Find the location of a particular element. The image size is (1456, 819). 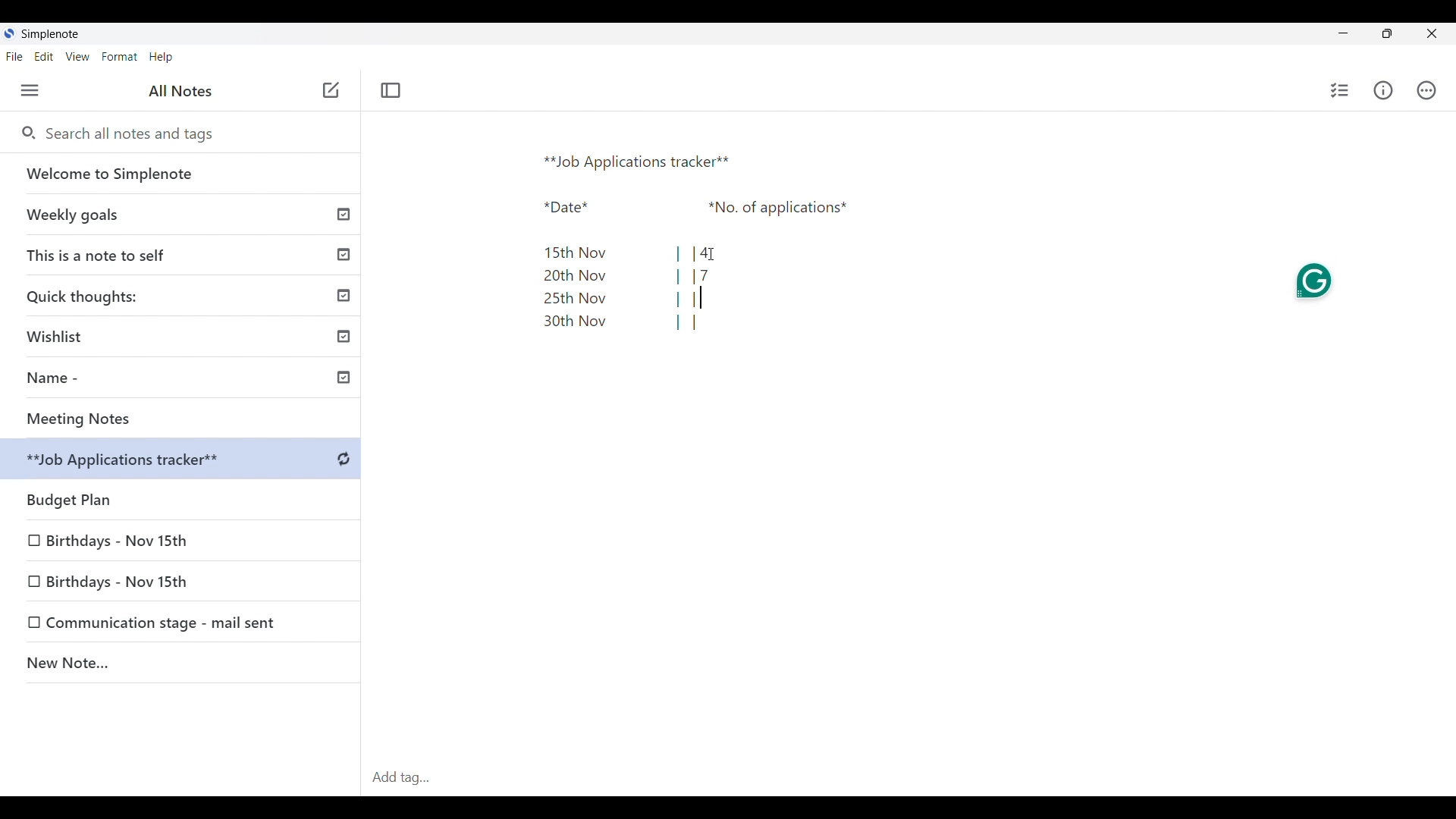

Quick thoughts is located at coordinates (183, 295).